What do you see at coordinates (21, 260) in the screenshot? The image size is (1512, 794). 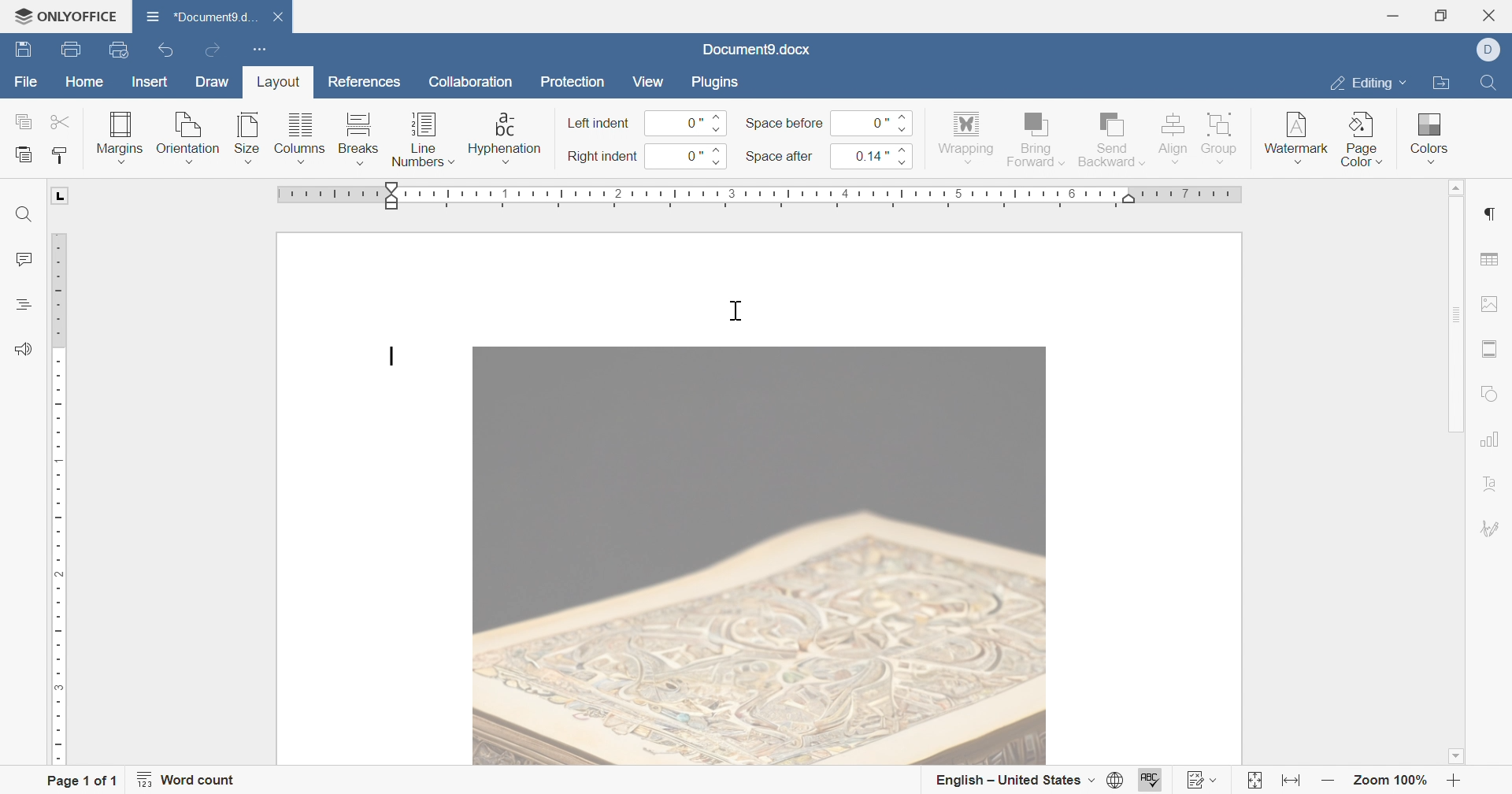 I see `comments` at bounding box center [21, 260].